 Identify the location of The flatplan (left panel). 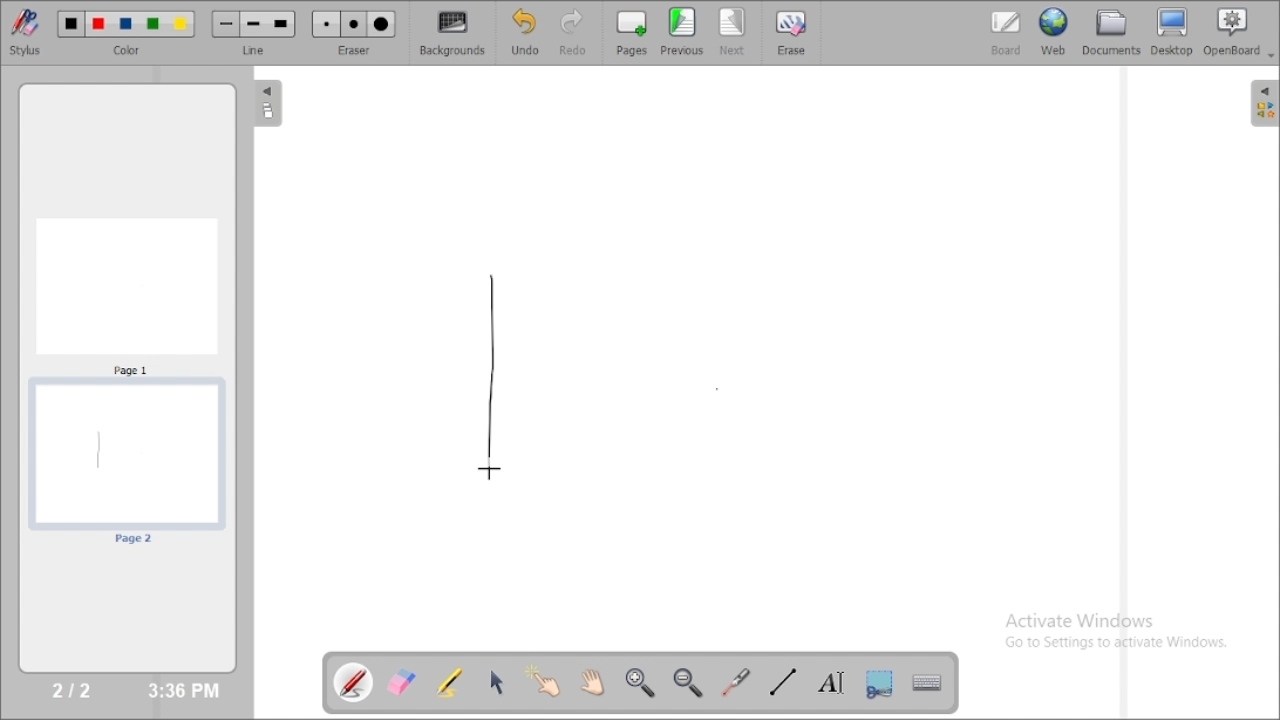
(266, 105).